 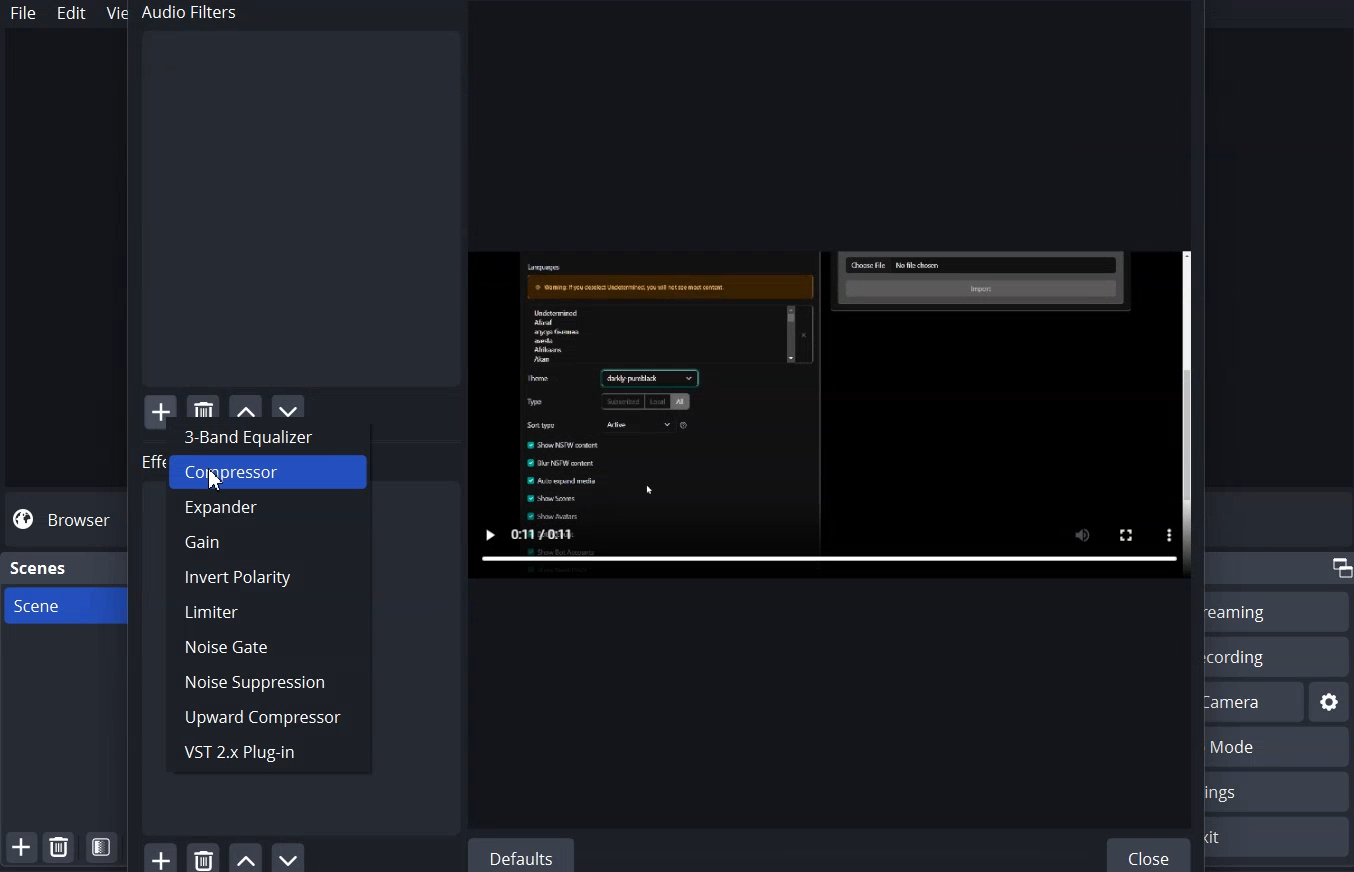 What do you see at coordinates (267, 754) in the screenshot?
I see `VST 2.x Plug-in` at bounding box center [267, 754].